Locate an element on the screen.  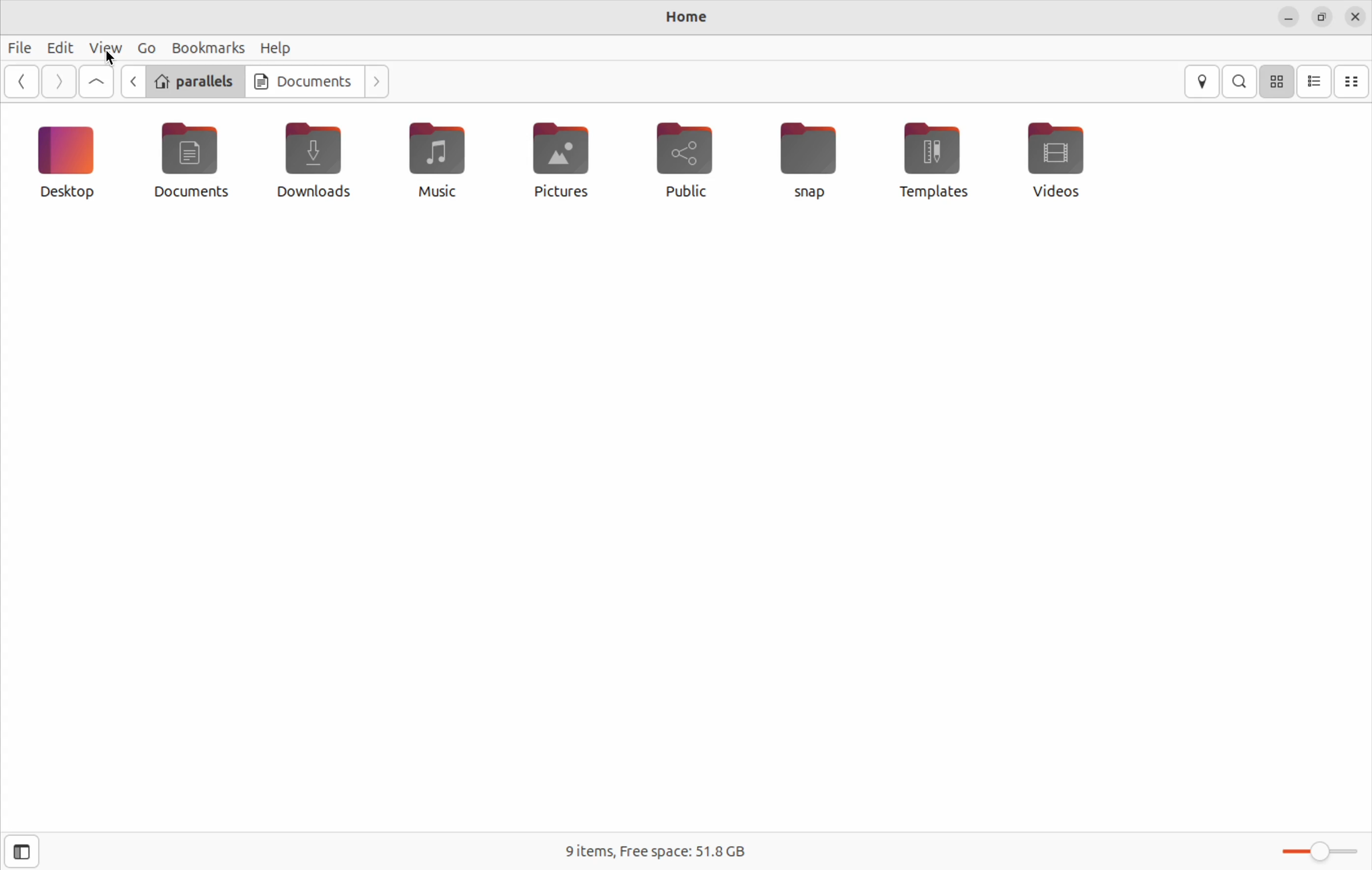
desktop icon is located at coordinates (63, 163).